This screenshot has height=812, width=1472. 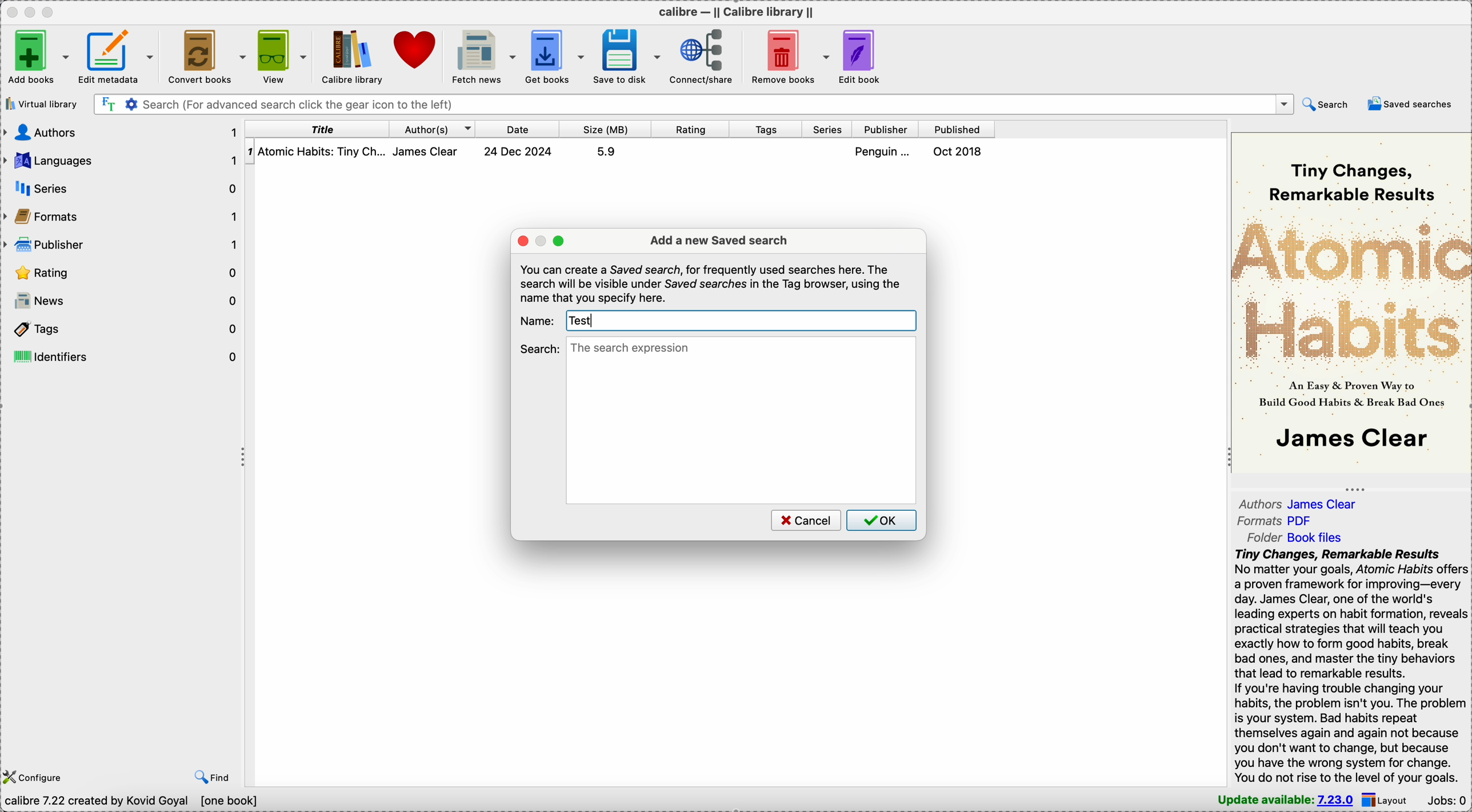 What do you see at coordinates (691, 129) in the screenshot?
I see `rating` at bounding box center [691, 129].